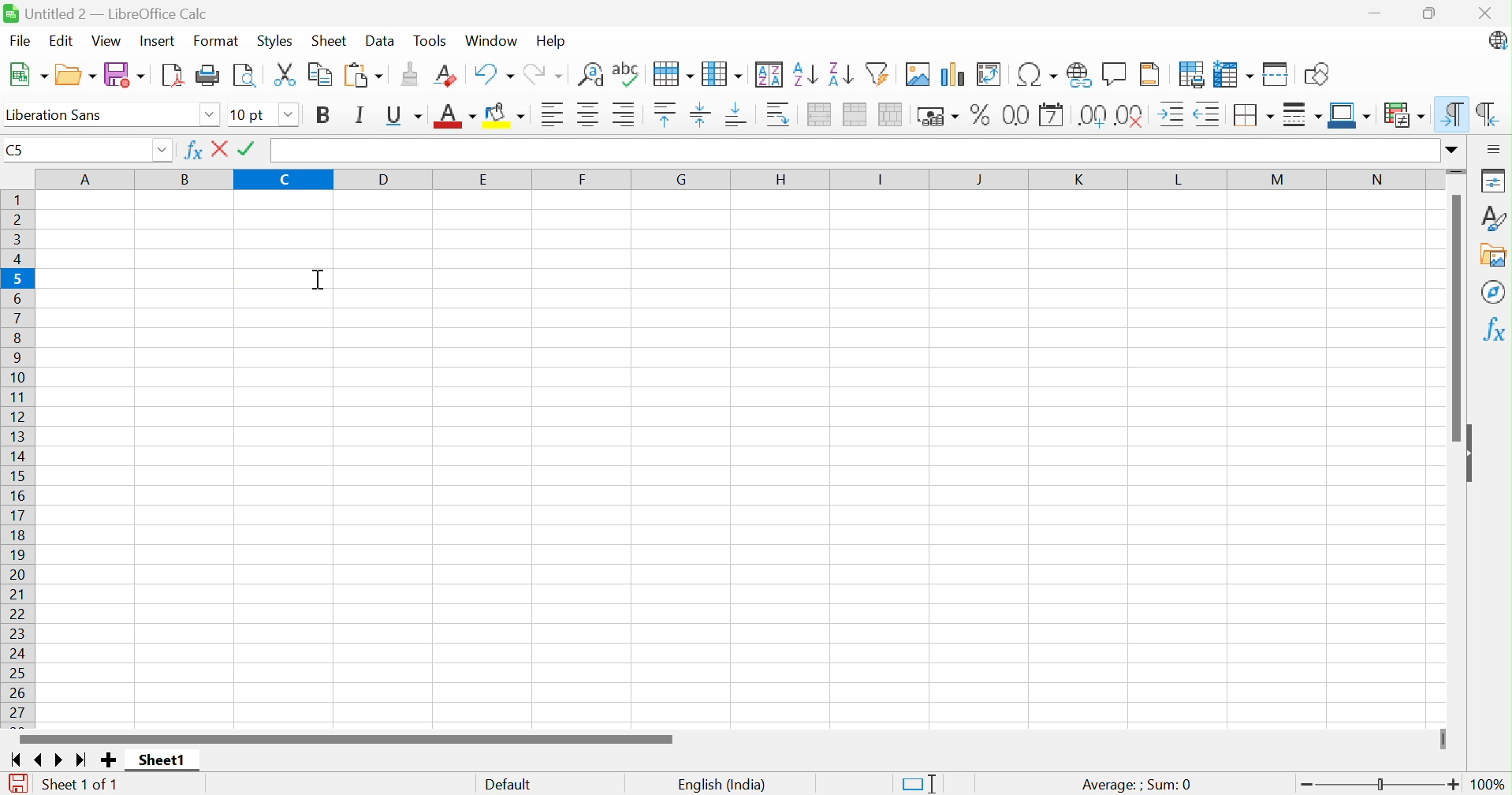 The image size is (1512, 795). I want to click on Sheet1, so click(165, 759).